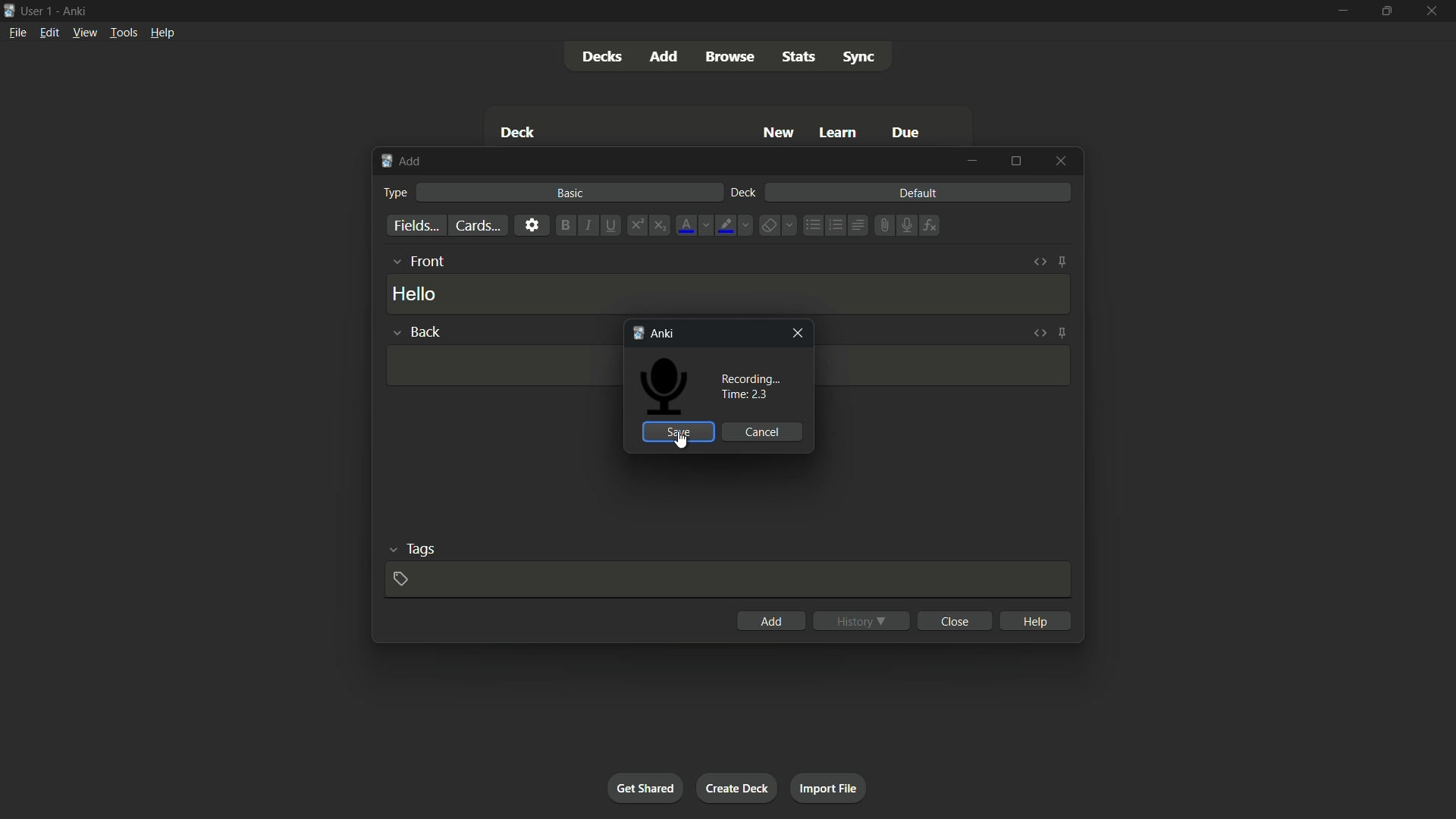 The height and width of the screenshot is (819, 1456). I want to click on maximize, so click(1389, 11).